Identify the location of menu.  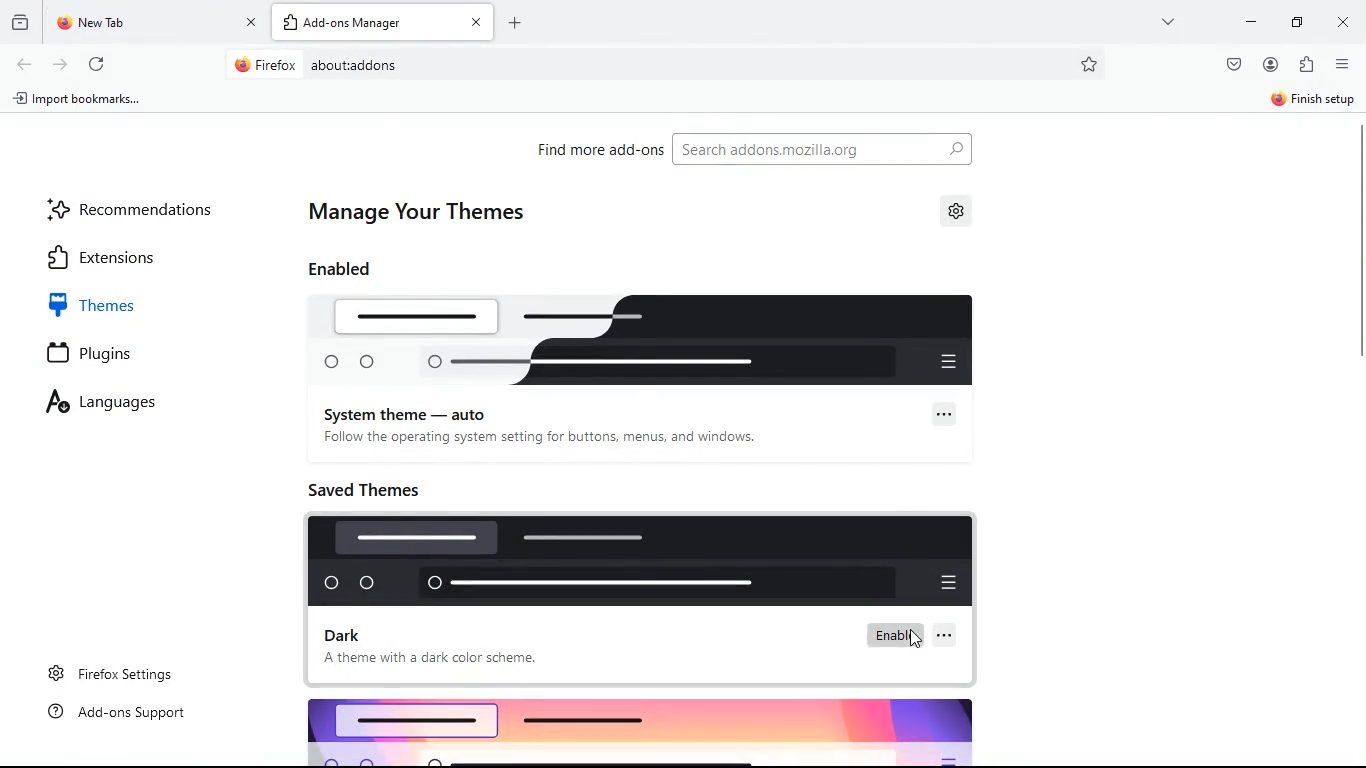
(1341, 64).